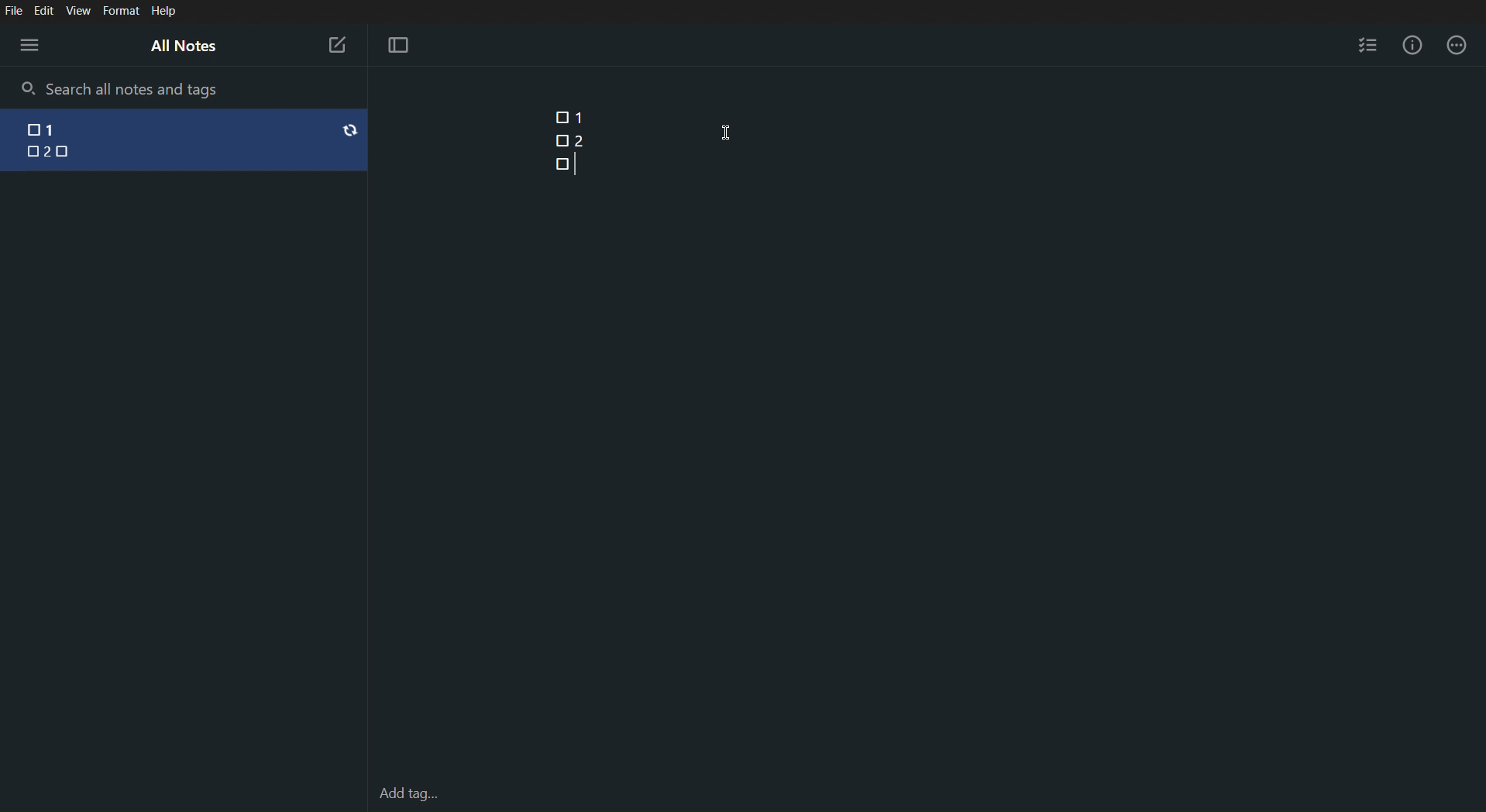 The height and width of the screenshot is (812, 1486). I want to click on View, so click(80, 11).